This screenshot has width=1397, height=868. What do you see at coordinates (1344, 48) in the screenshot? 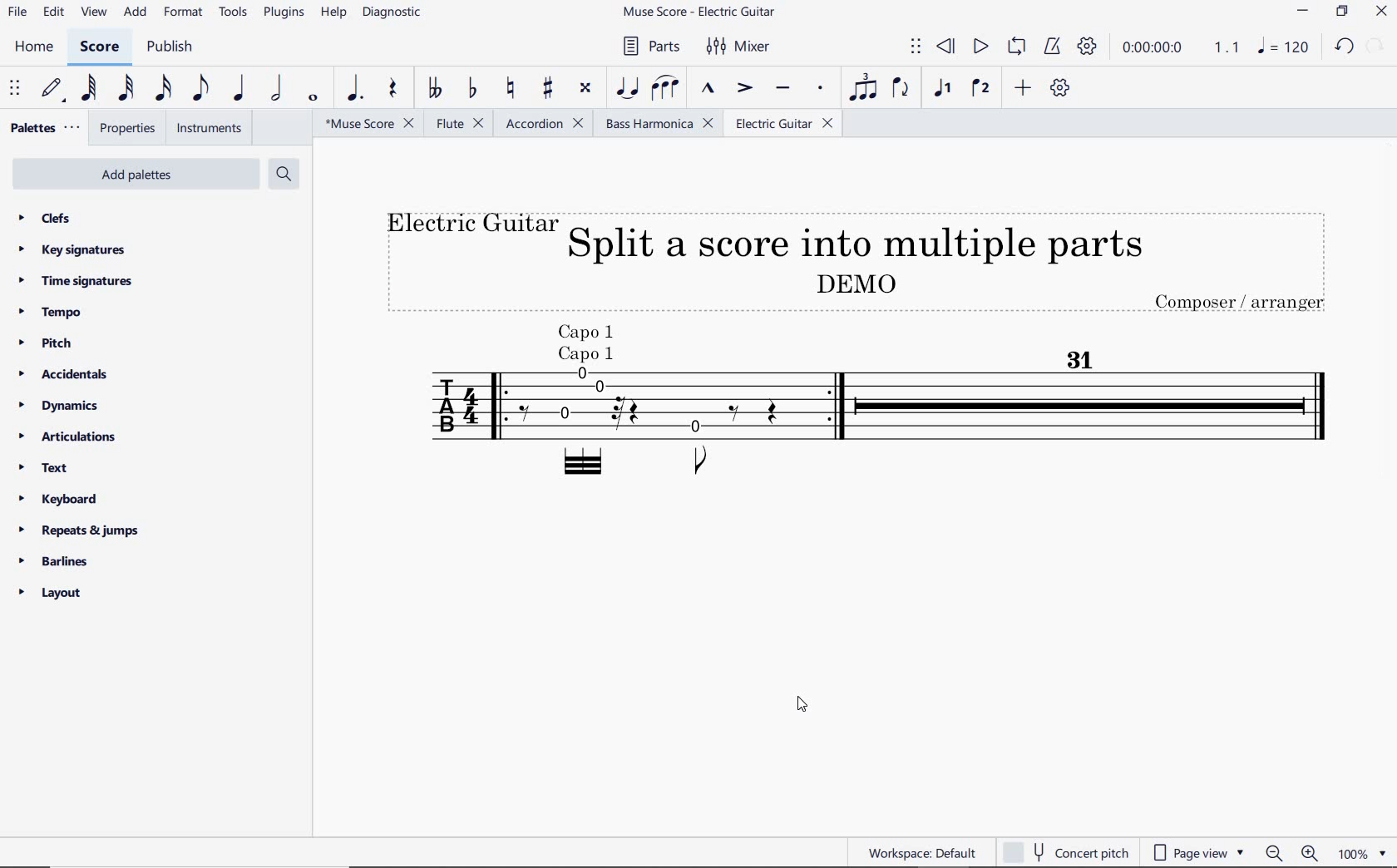
I see `UNDO` at bounding box center [1344, 48].